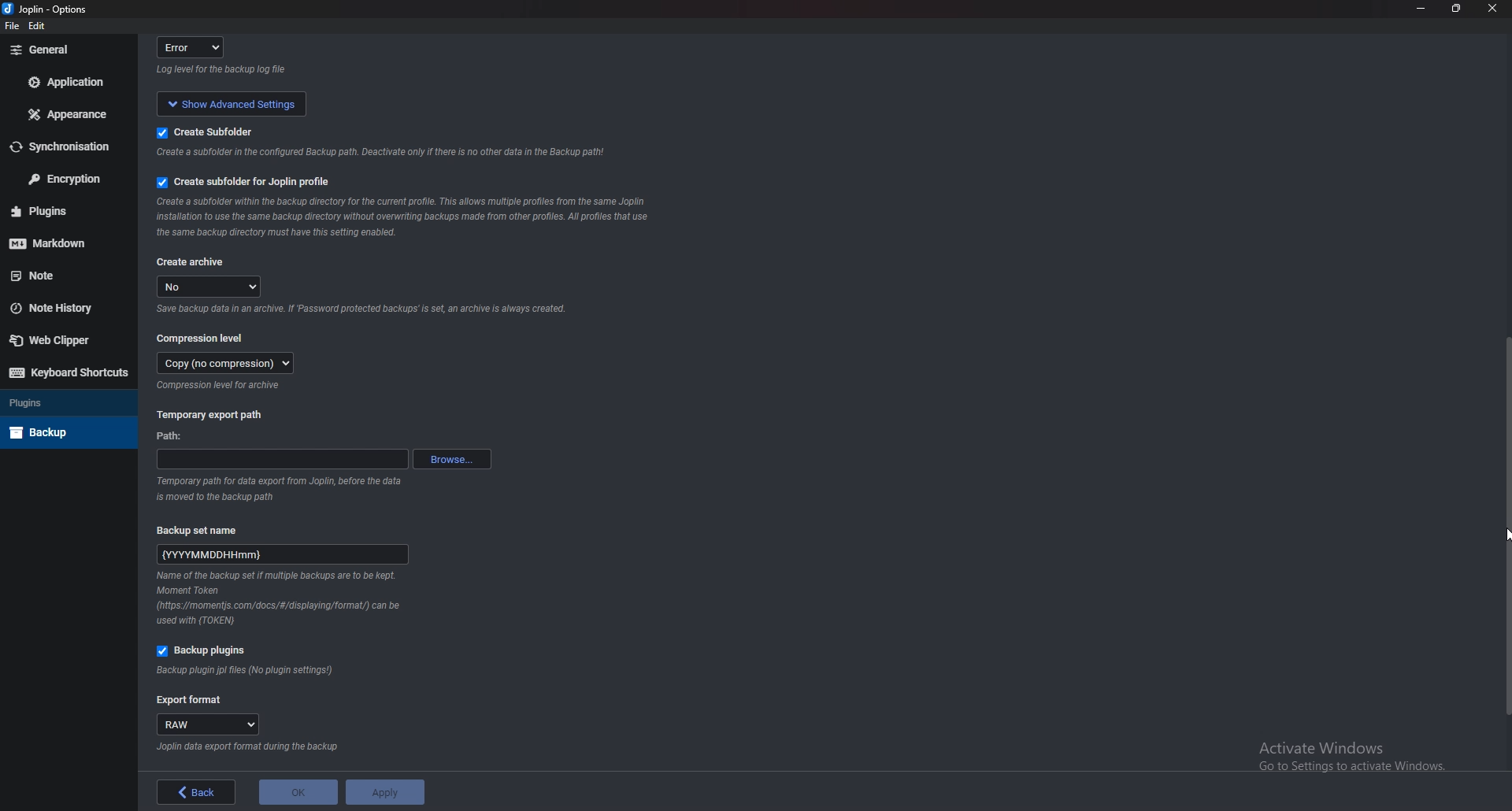 Image resolution: width=1512 pixels, height=811 pixels. What do you see at coordinates (226, 363) in the screenshot?
I see `copy (no compression)` at bounding box center [226, 363].